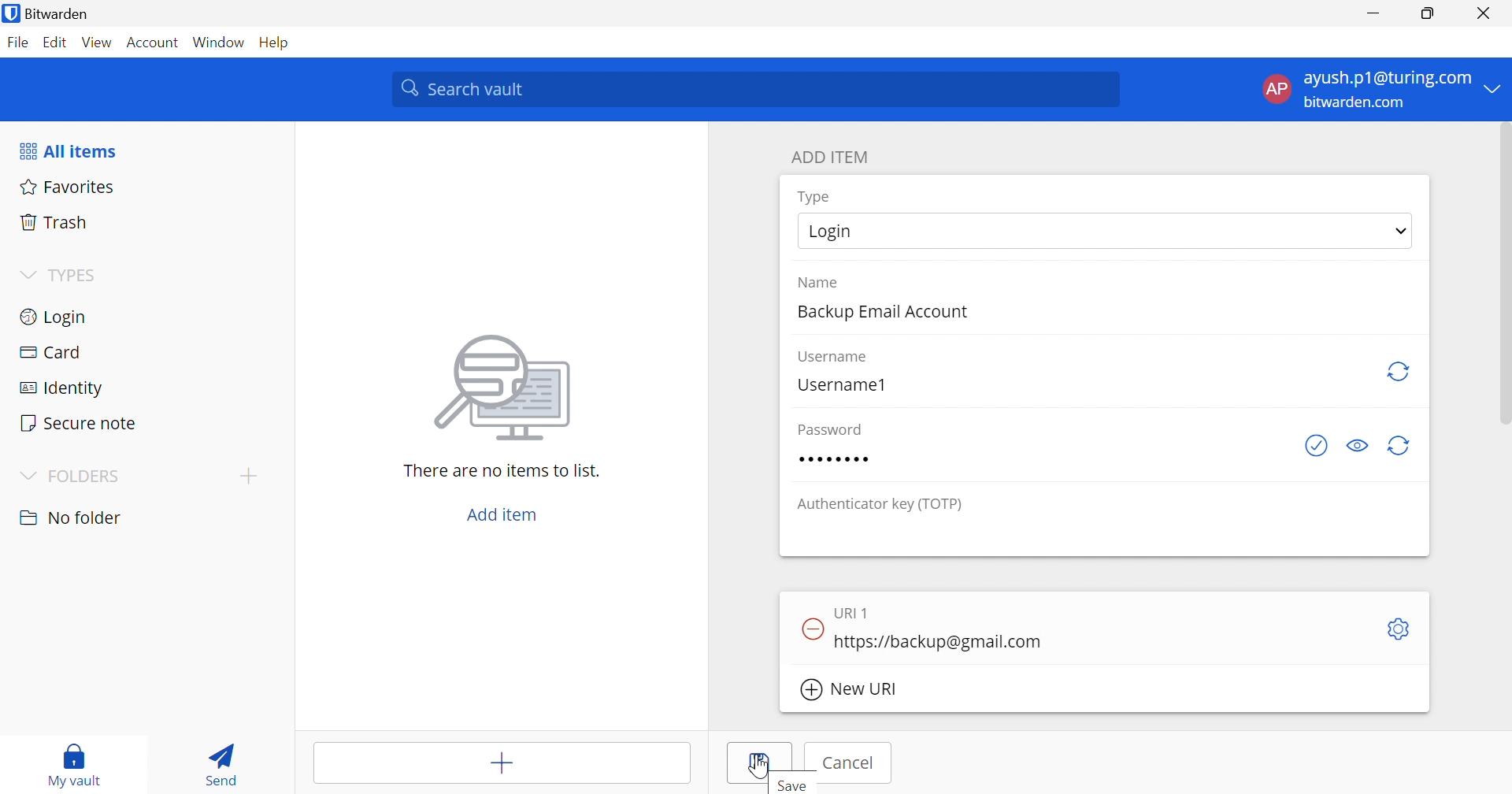  I want to click on Toggle visibility, so click(1355, 446).